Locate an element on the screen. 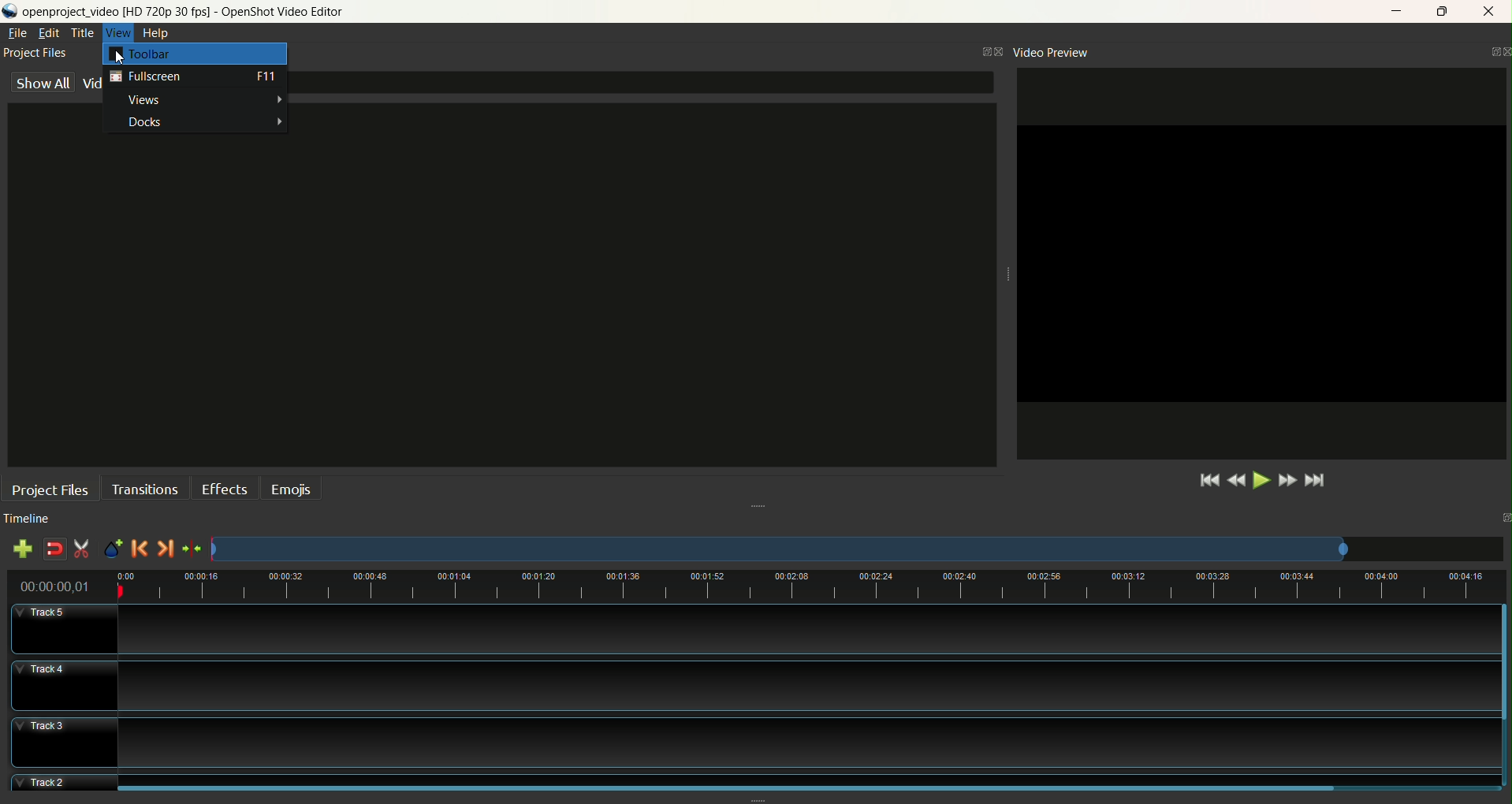 This screenshot has height=804, width=1512. timeline is located at coordinates (37, 519).